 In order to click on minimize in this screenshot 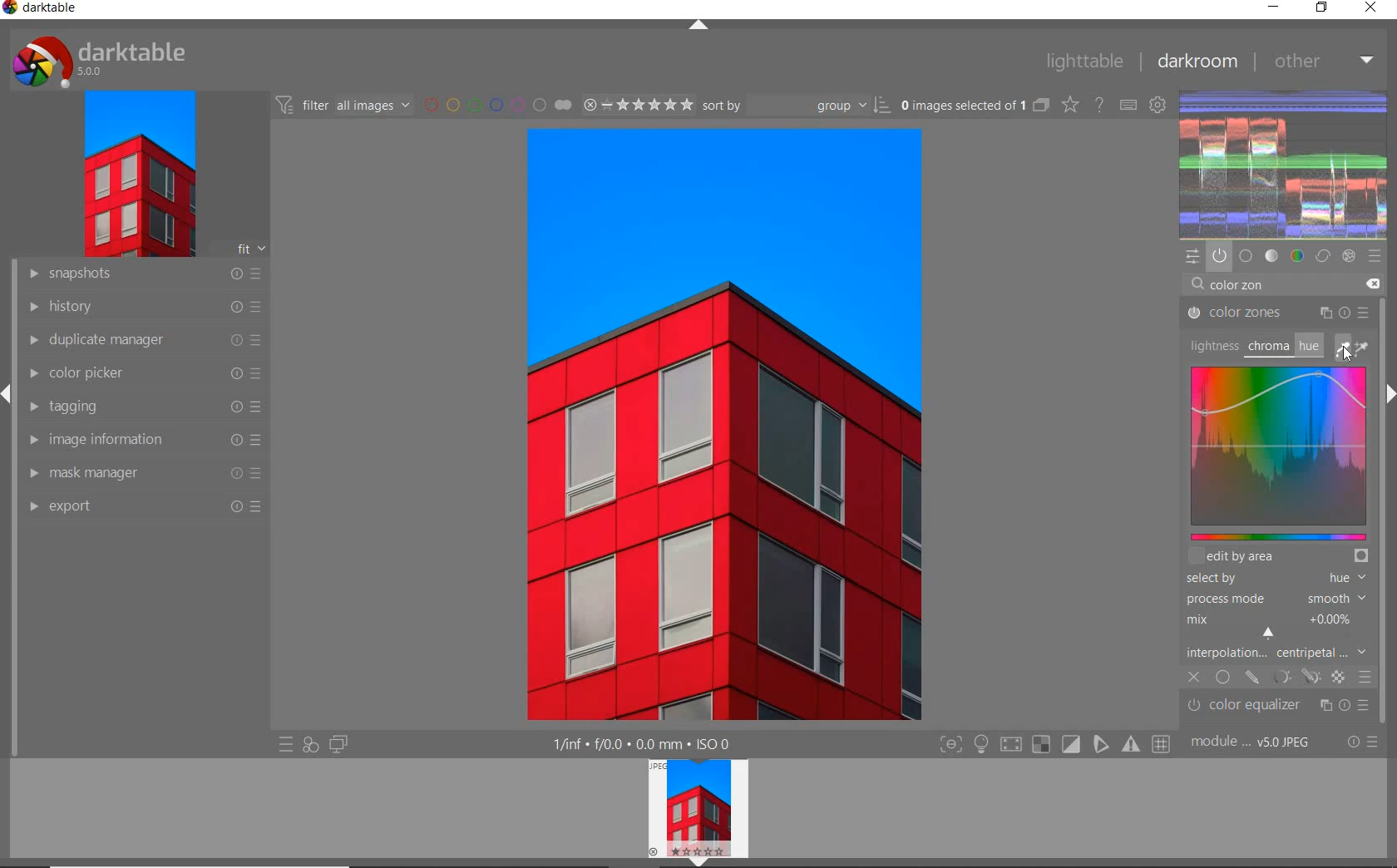, I will do `click(1274, 8)`.